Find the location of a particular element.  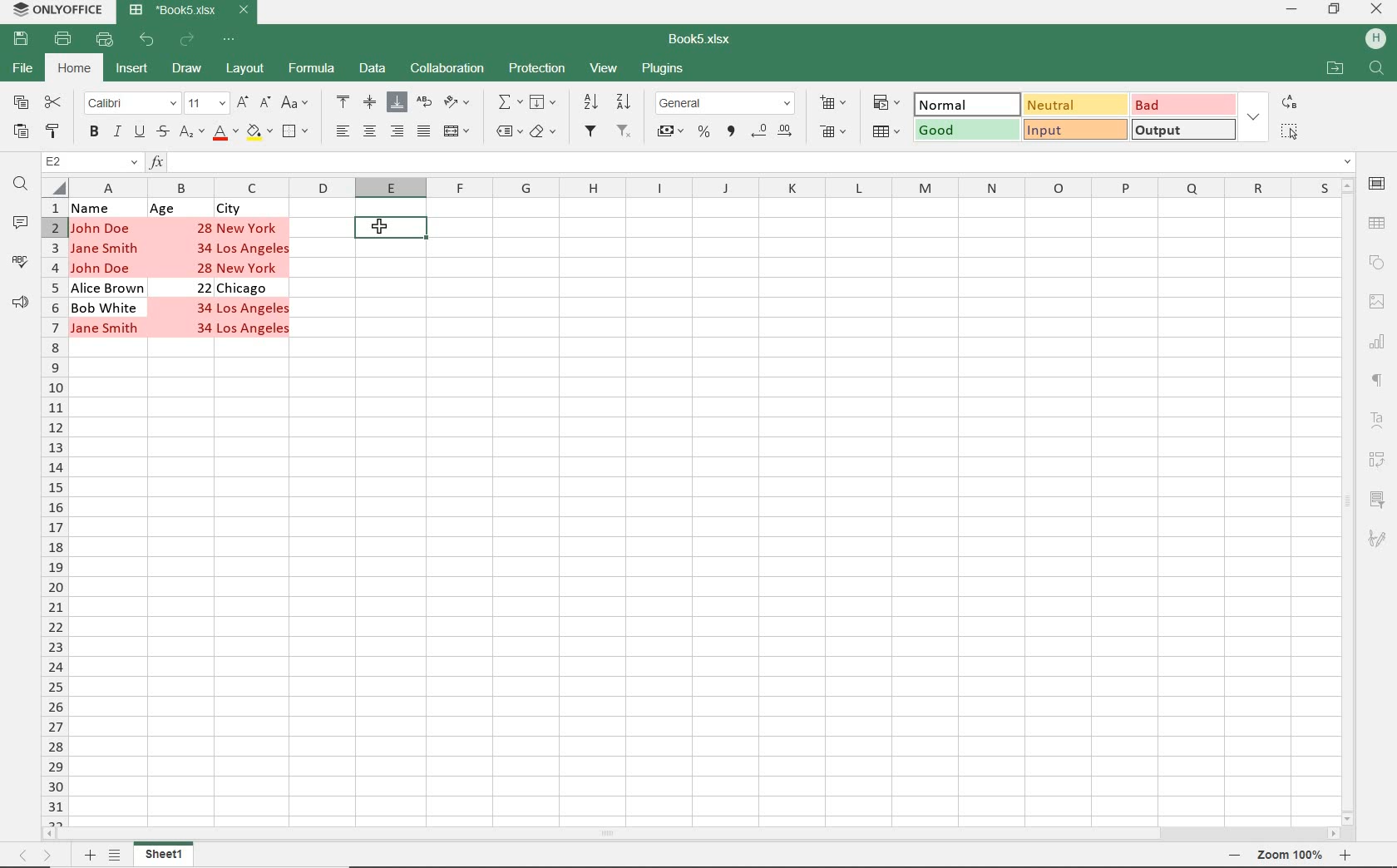

FORMAT AS TABLE TEMPLATE is located at coordinates (887, 132).